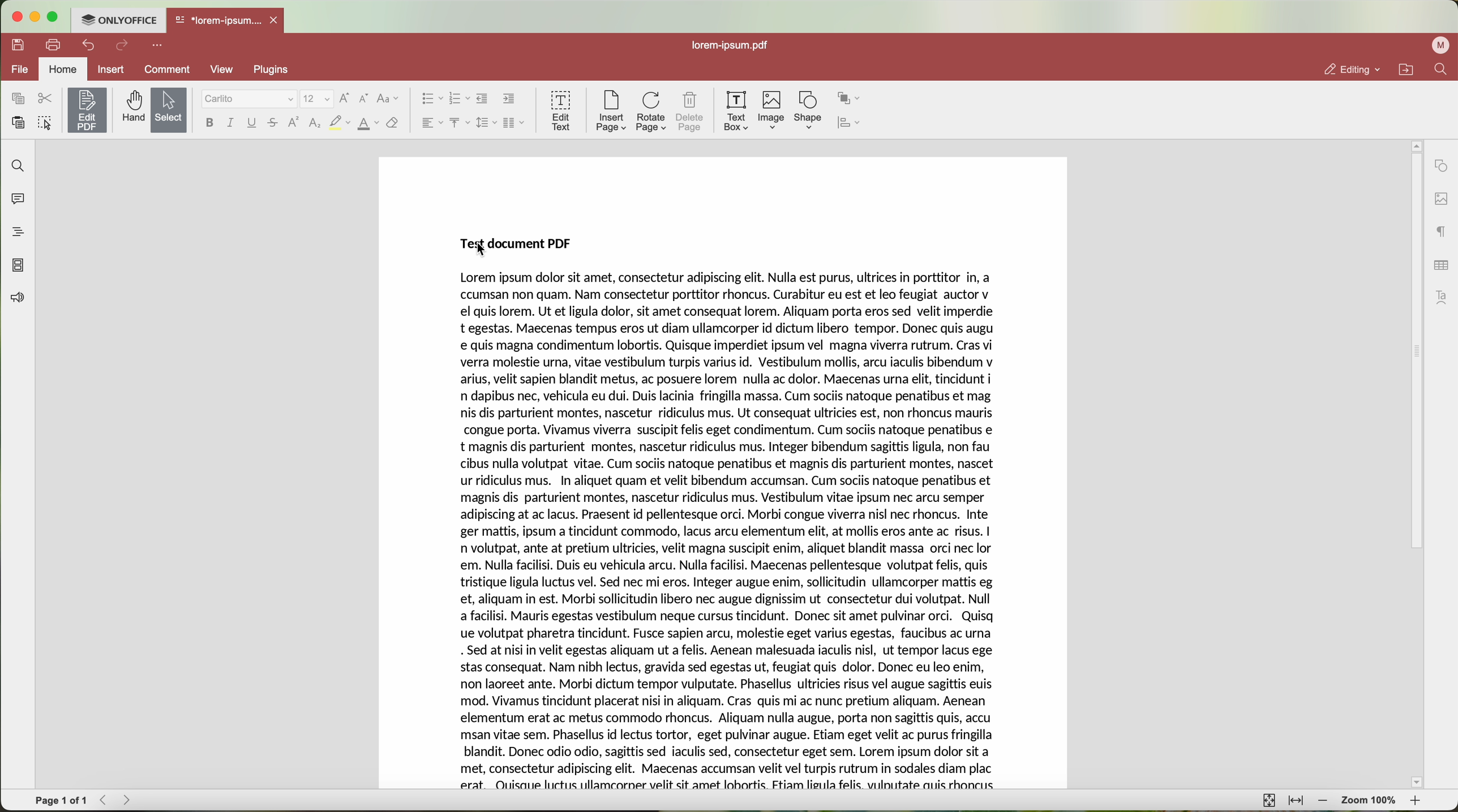 This screenshot has width=1458, height=812. Describe the element at coordinates (19, 266) in the screenshot. I see `page thumbnails` at that location.